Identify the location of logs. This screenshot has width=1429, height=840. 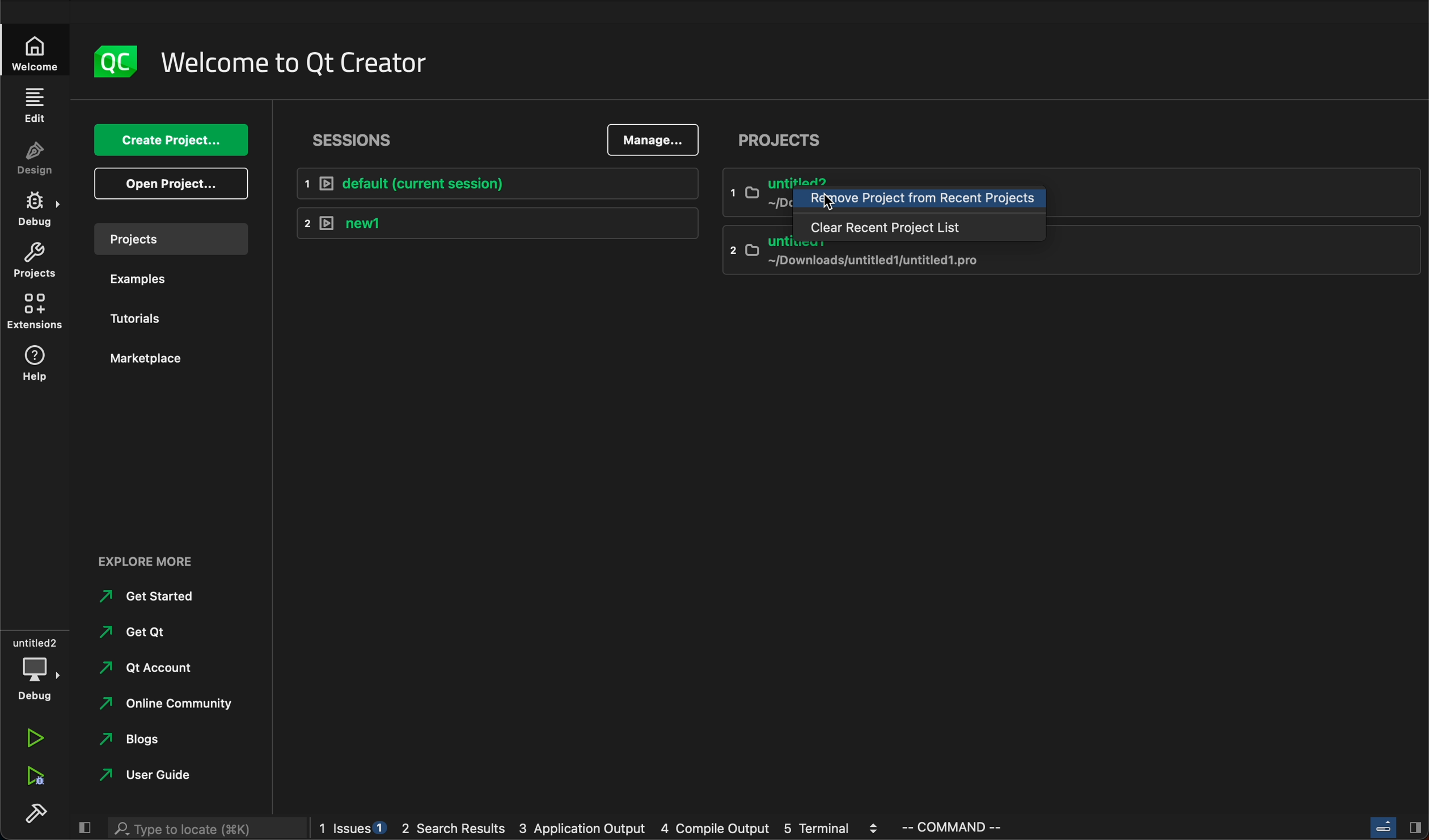
(663, 828).